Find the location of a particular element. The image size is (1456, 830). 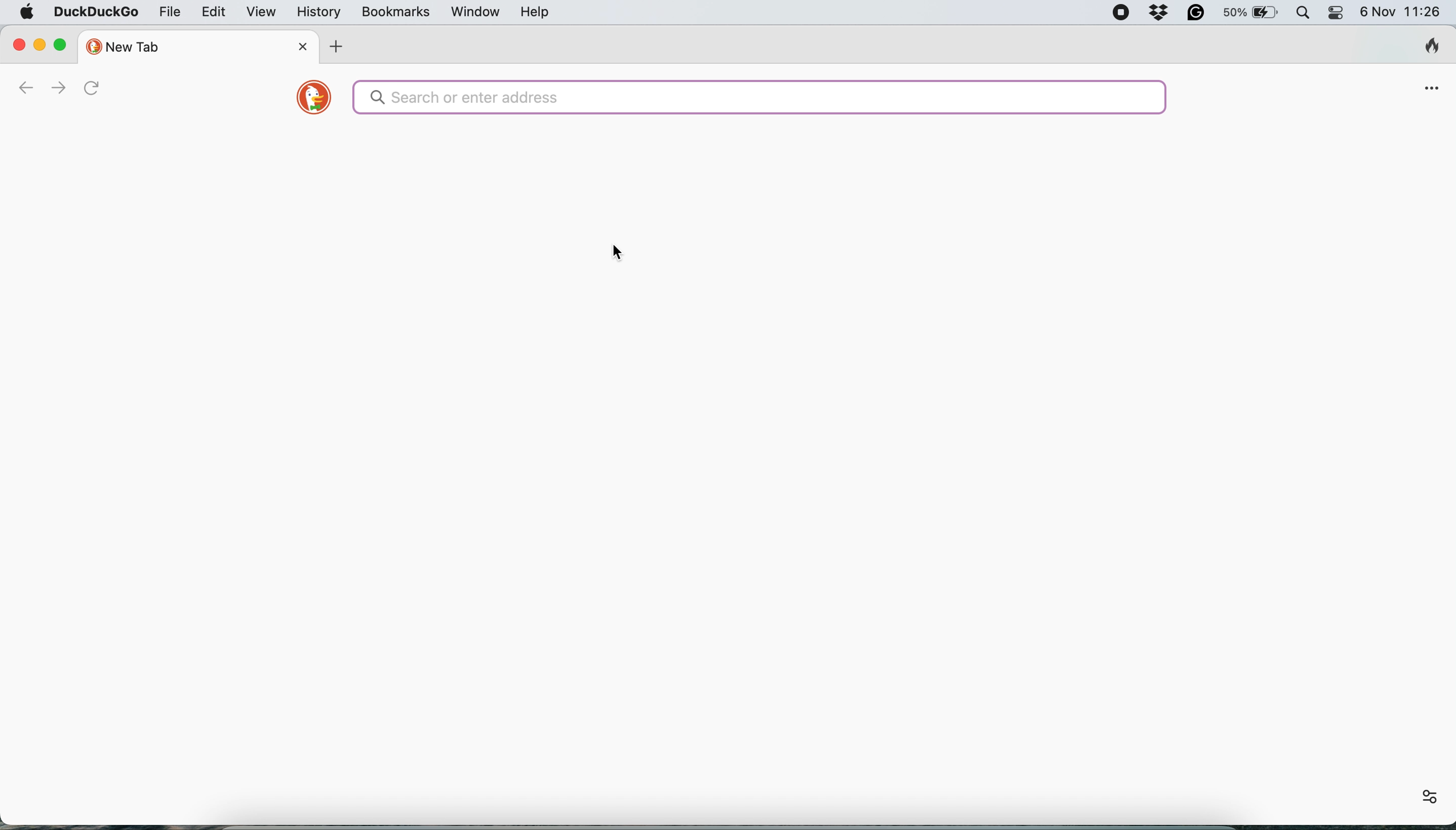

close is located at coordinates (18, 45).